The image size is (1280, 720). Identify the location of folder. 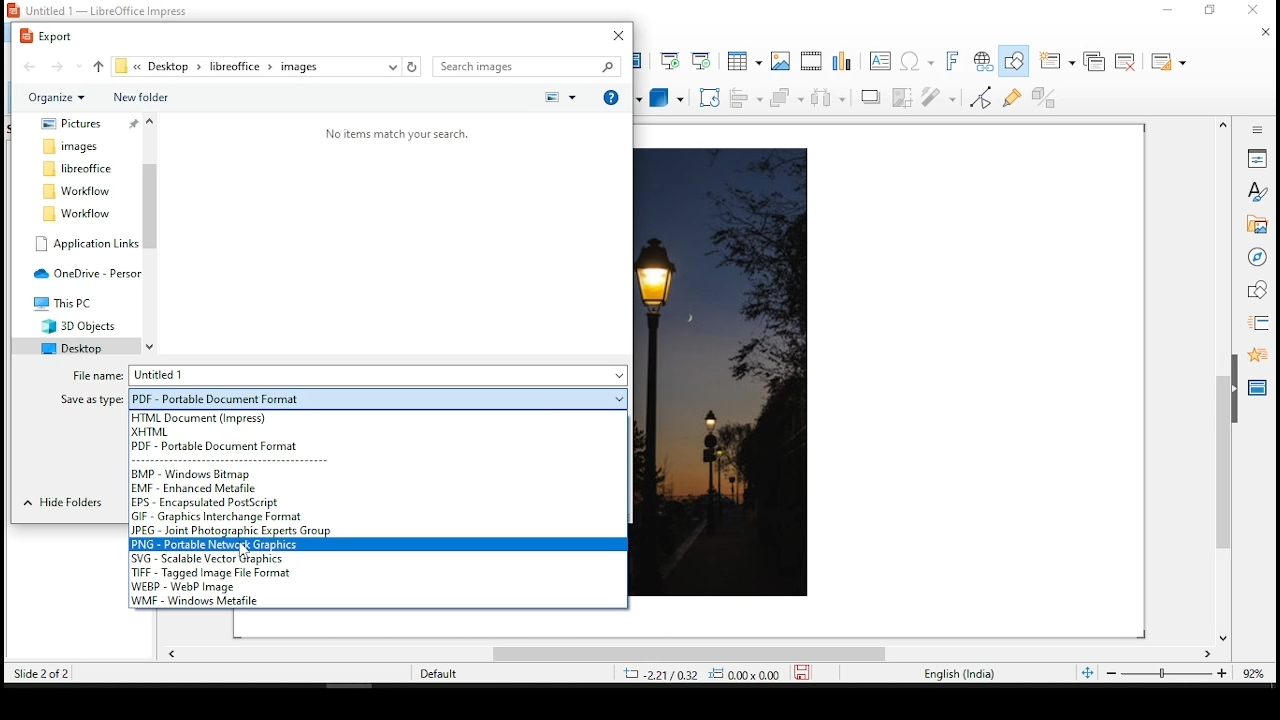
(86, 243).